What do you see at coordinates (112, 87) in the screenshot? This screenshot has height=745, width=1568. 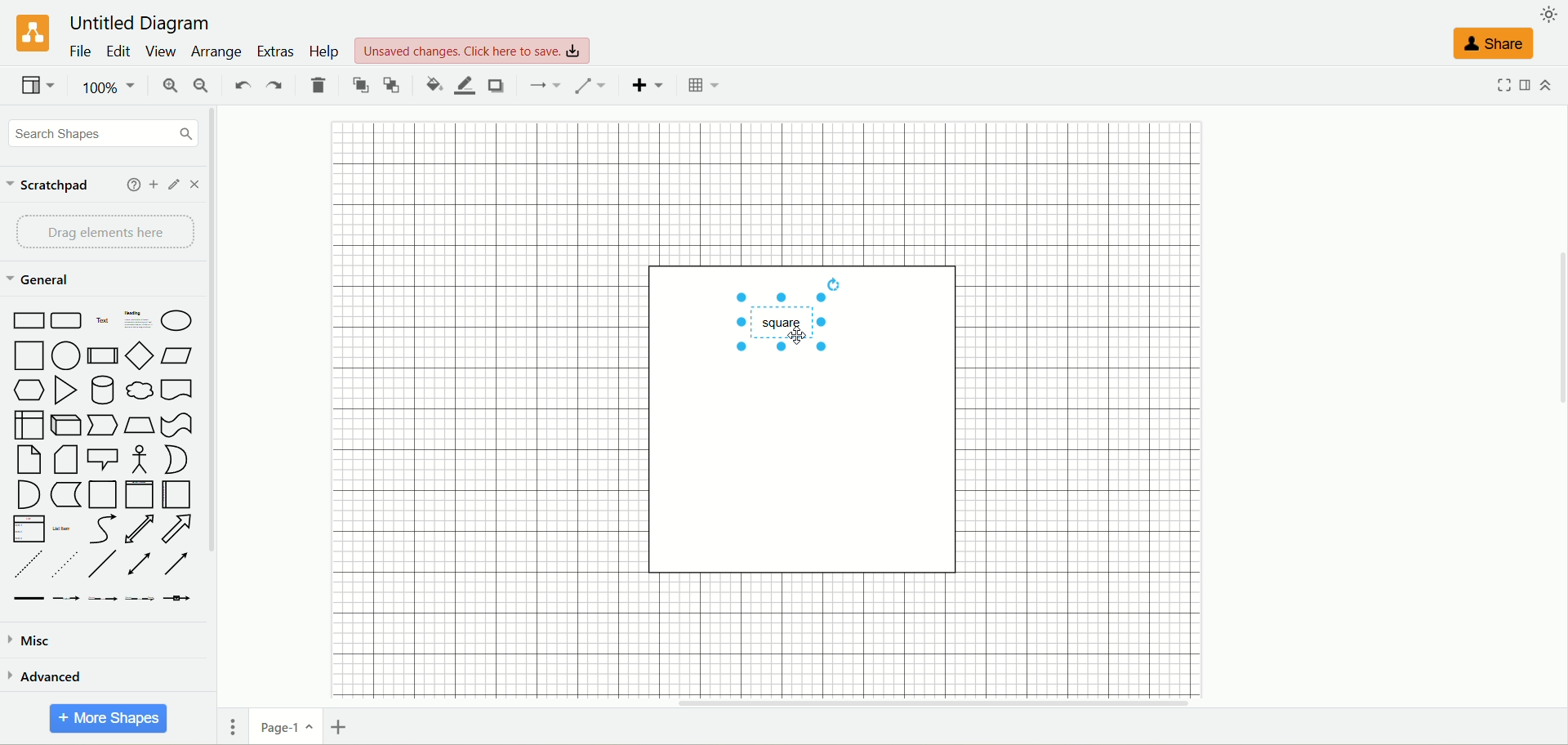 I see `zoom factor` at bounding box center [112, 87].